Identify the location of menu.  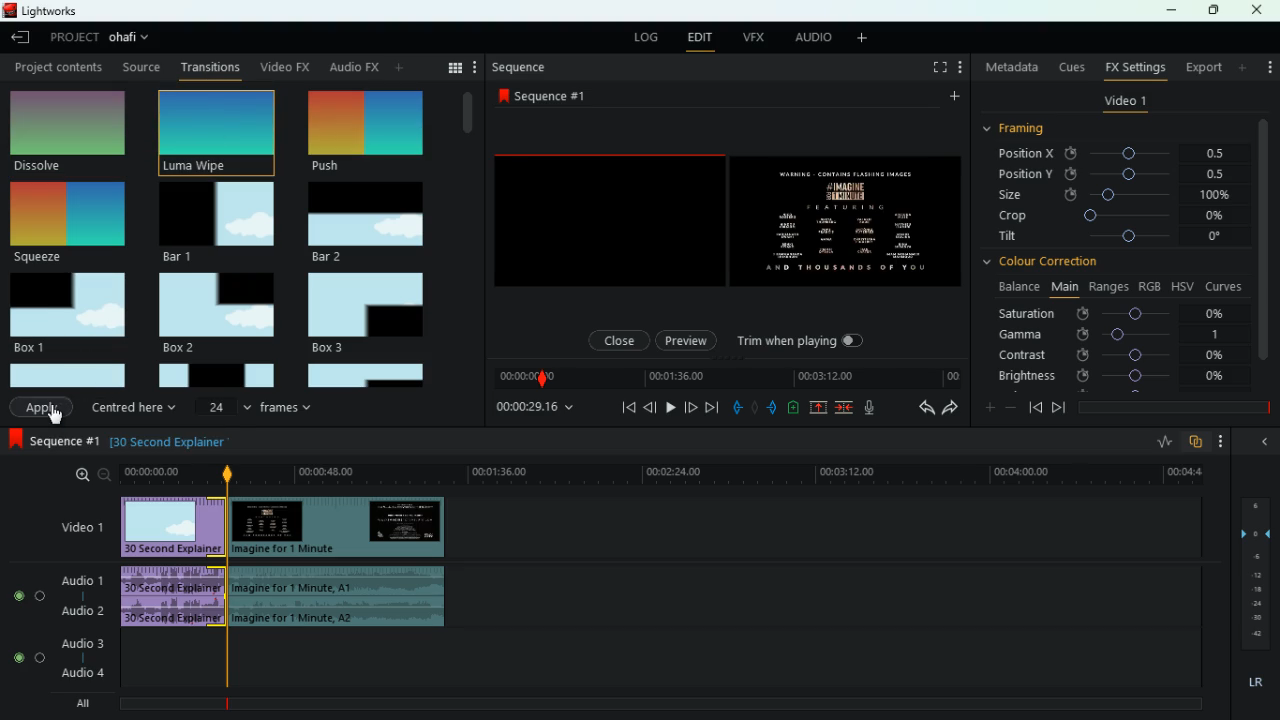
(455, 67).